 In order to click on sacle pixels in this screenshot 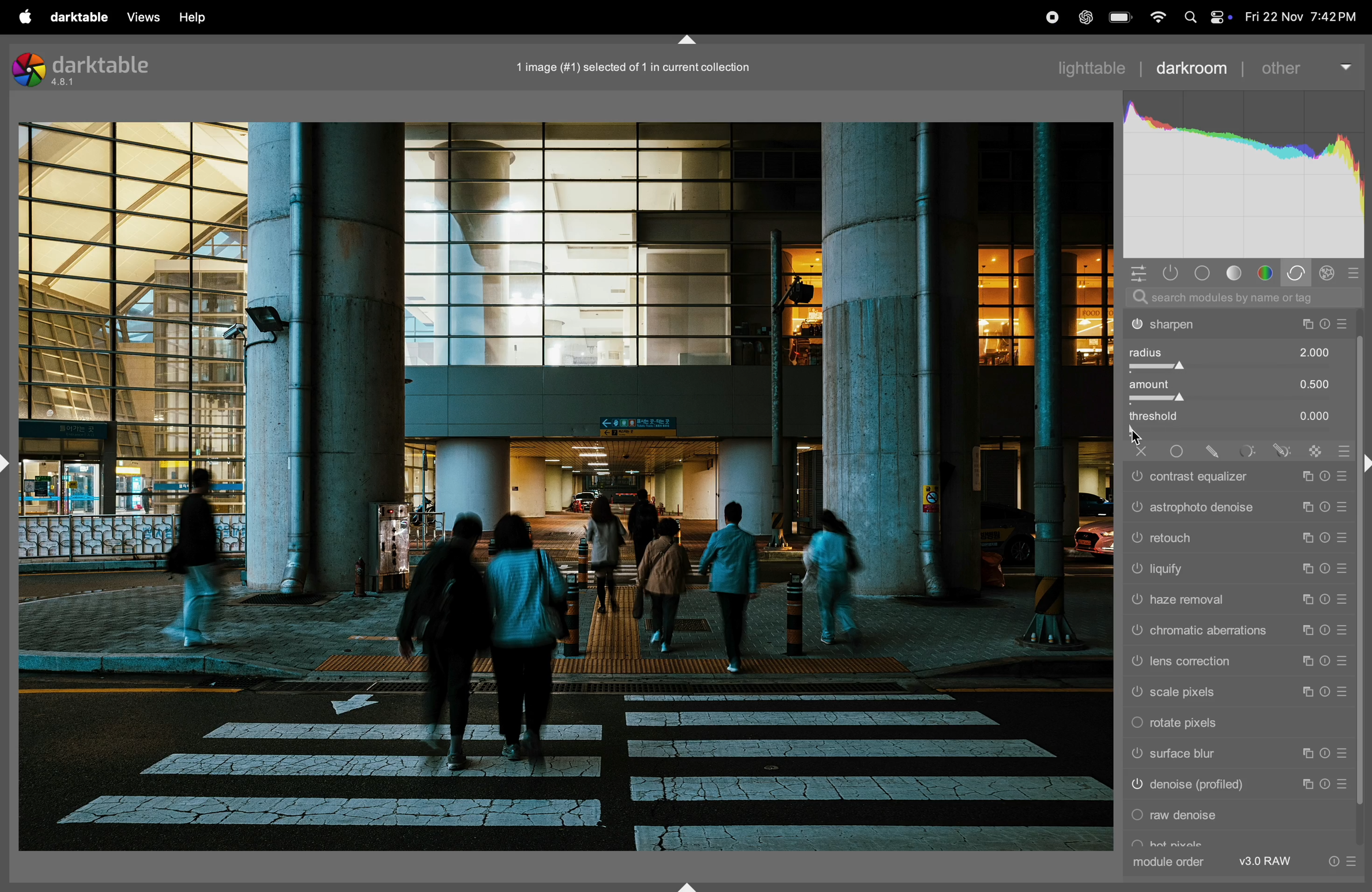, I will do `click(1237, 693)`.